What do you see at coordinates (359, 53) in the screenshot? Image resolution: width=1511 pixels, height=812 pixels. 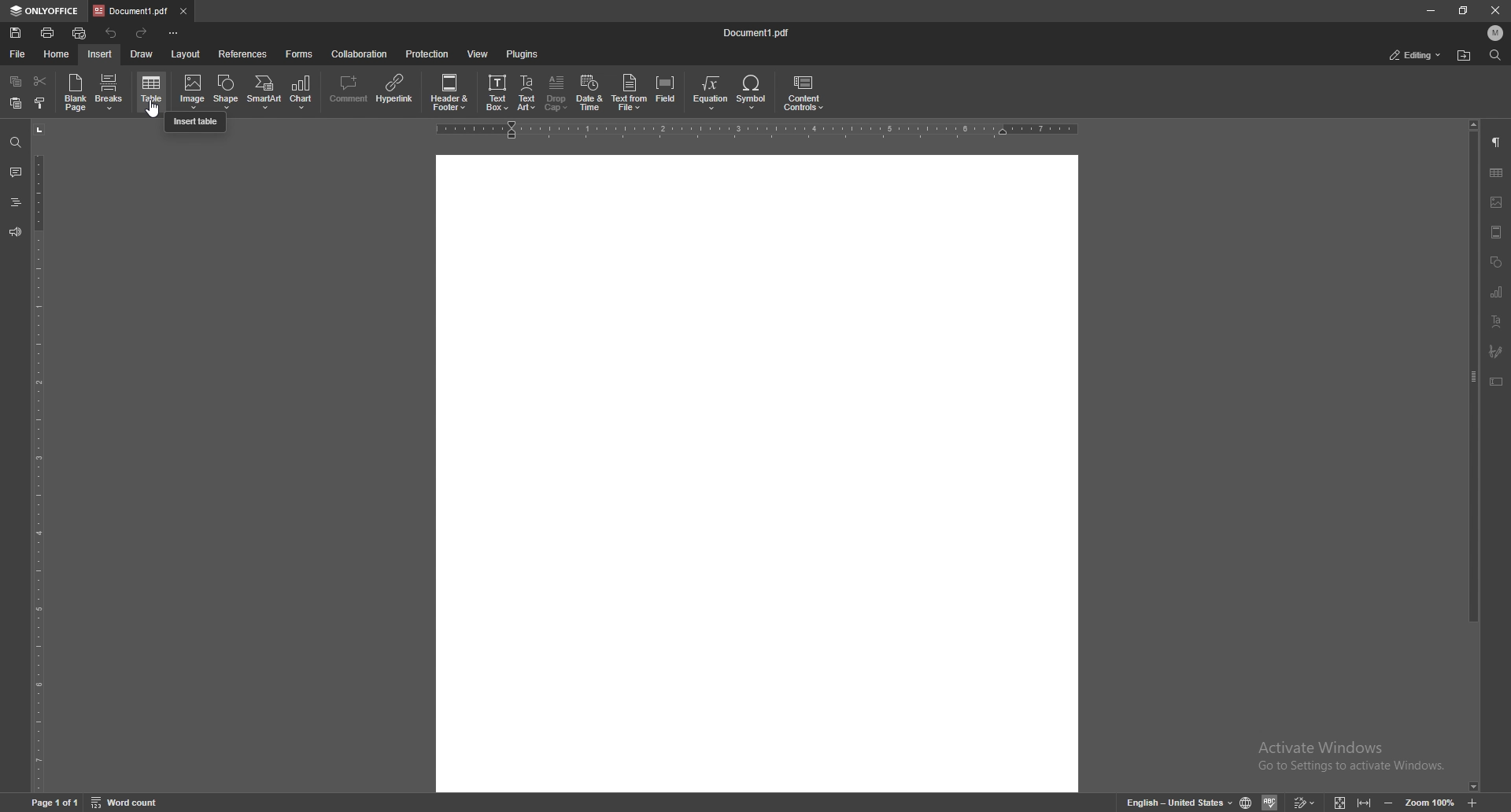 I see `collaboration` at bounding box center [359, 53].